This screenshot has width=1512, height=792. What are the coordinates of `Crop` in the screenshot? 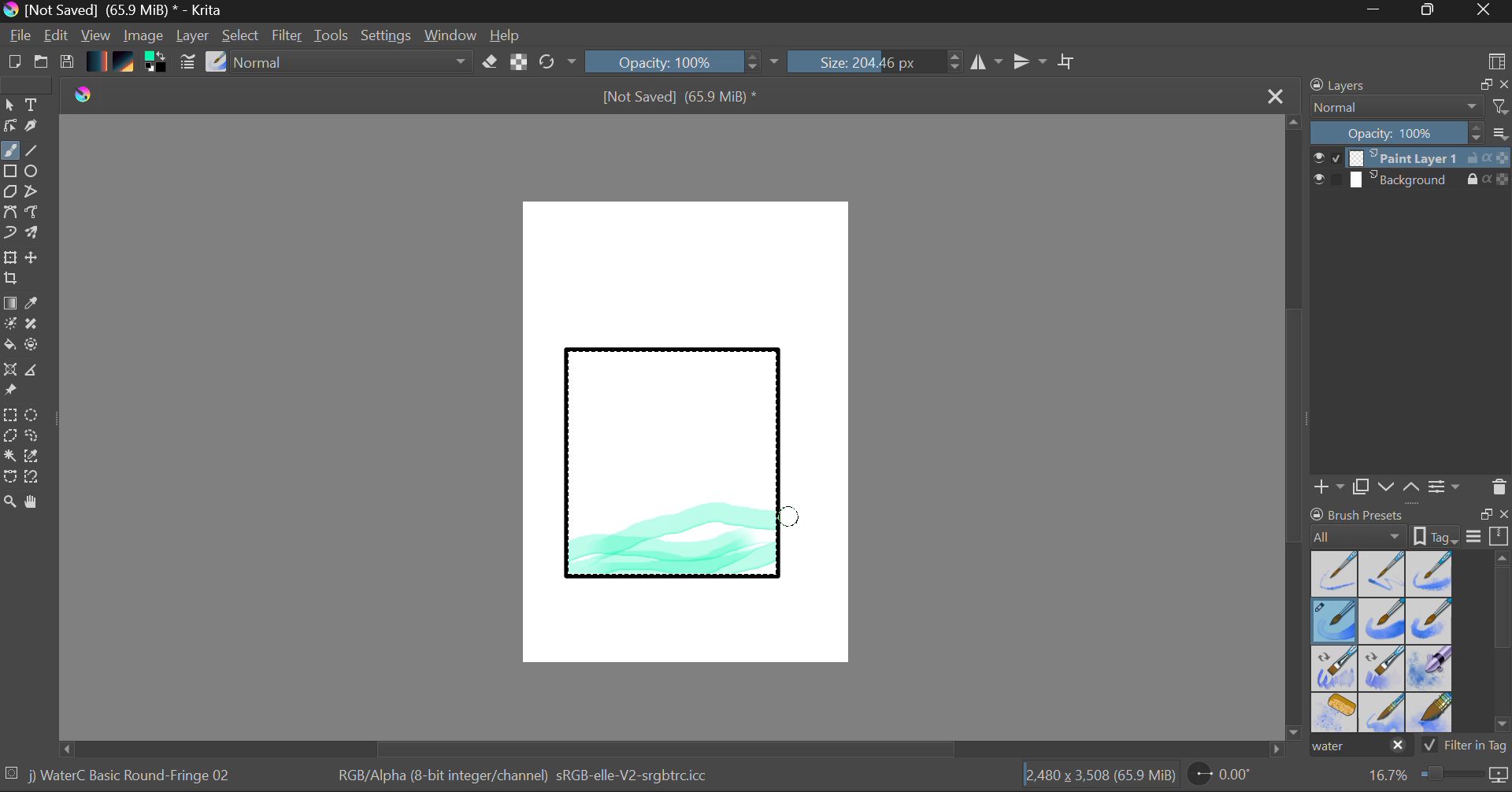 It's located at (13, 279).